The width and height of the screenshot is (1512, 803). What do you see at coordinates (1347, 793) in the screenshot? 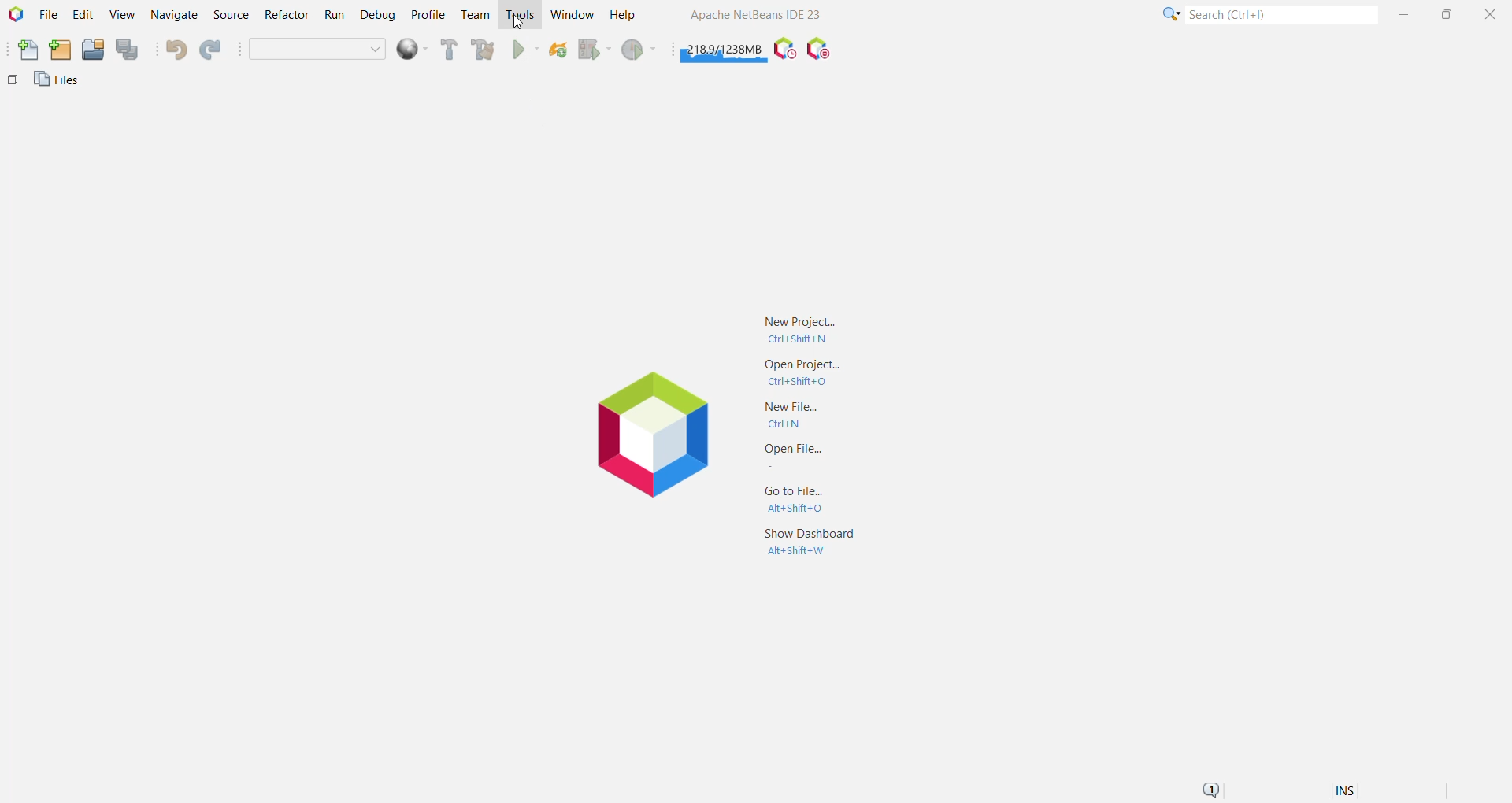
I see `Insert Mode` at bounding box center [1347, 793].